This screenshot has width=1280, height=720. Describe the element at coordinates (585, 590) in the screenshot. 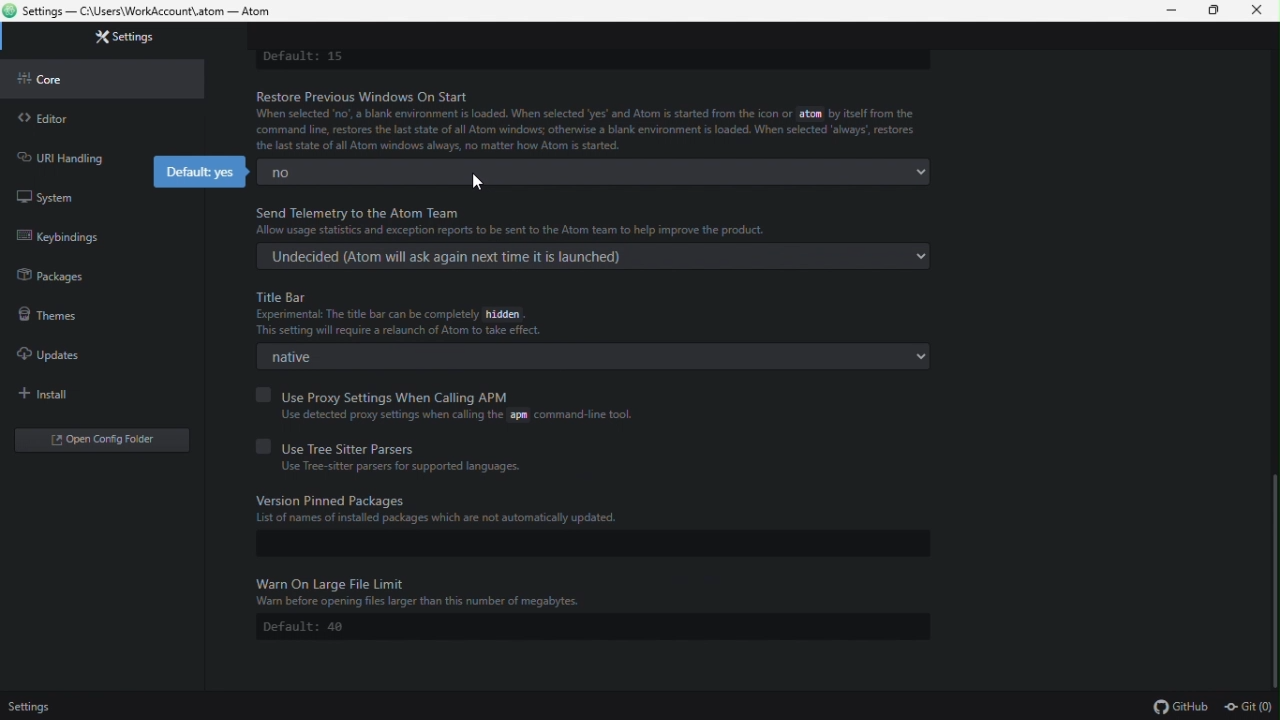

I see `Warn On Large File Limit Warn before opening the files larger than this number of megabytes.` at that location.